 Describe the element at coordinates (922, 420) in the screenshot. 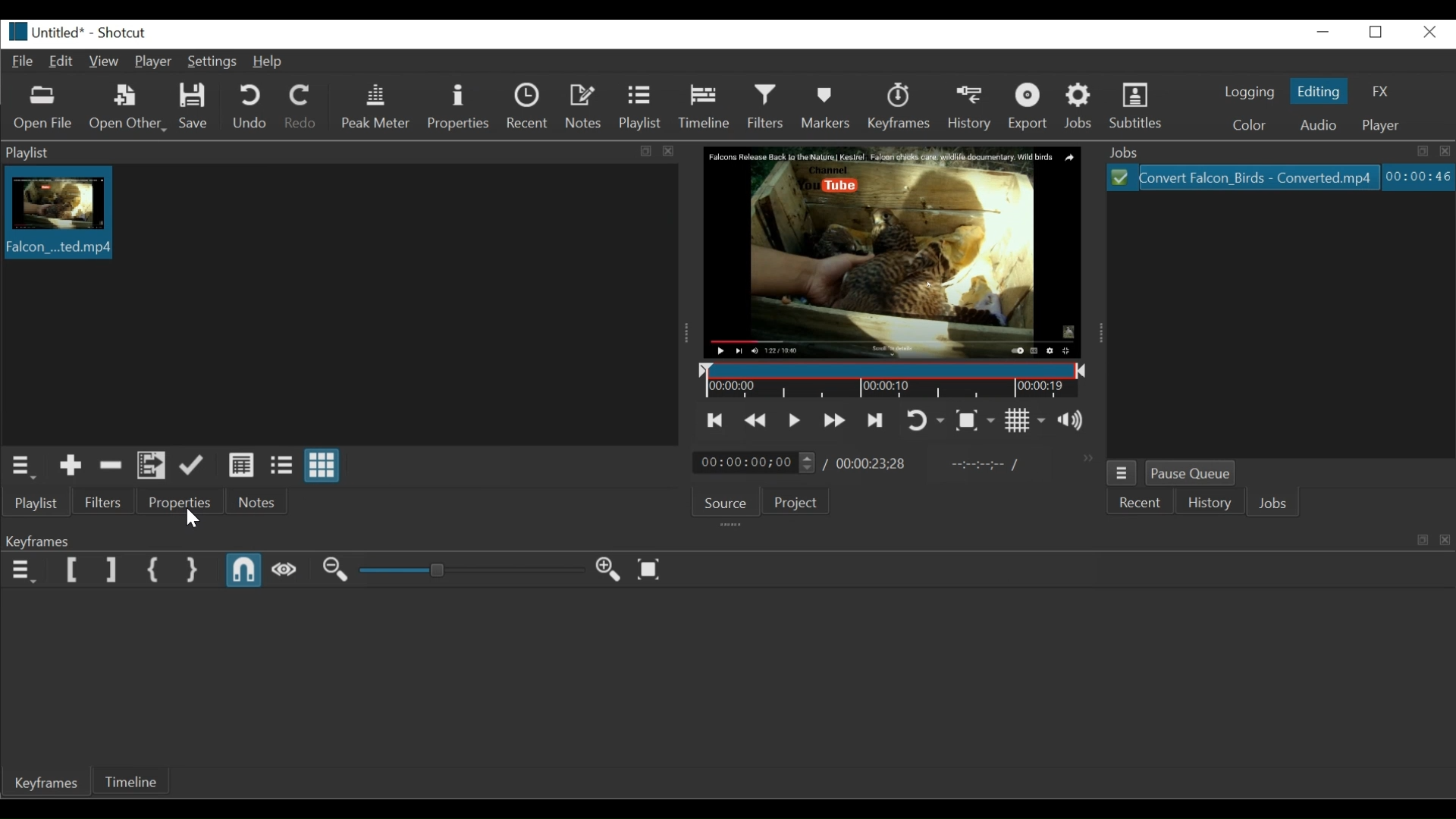

I see `Toggle player looping` at that location.